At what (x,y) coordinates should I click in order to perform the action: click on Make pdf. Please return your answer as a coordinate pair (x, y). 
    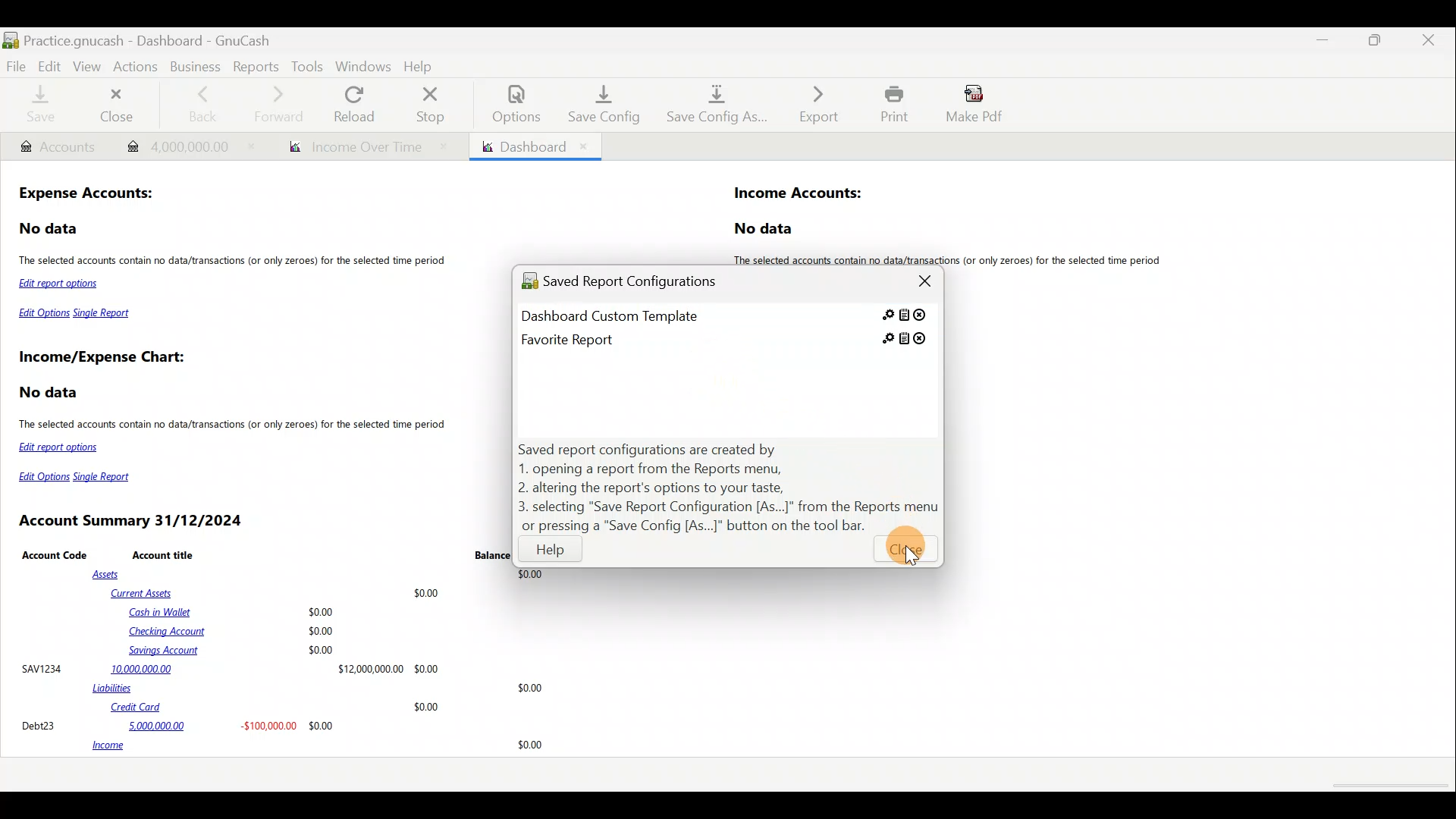
    Looking at the image, I should click on (979, 106).